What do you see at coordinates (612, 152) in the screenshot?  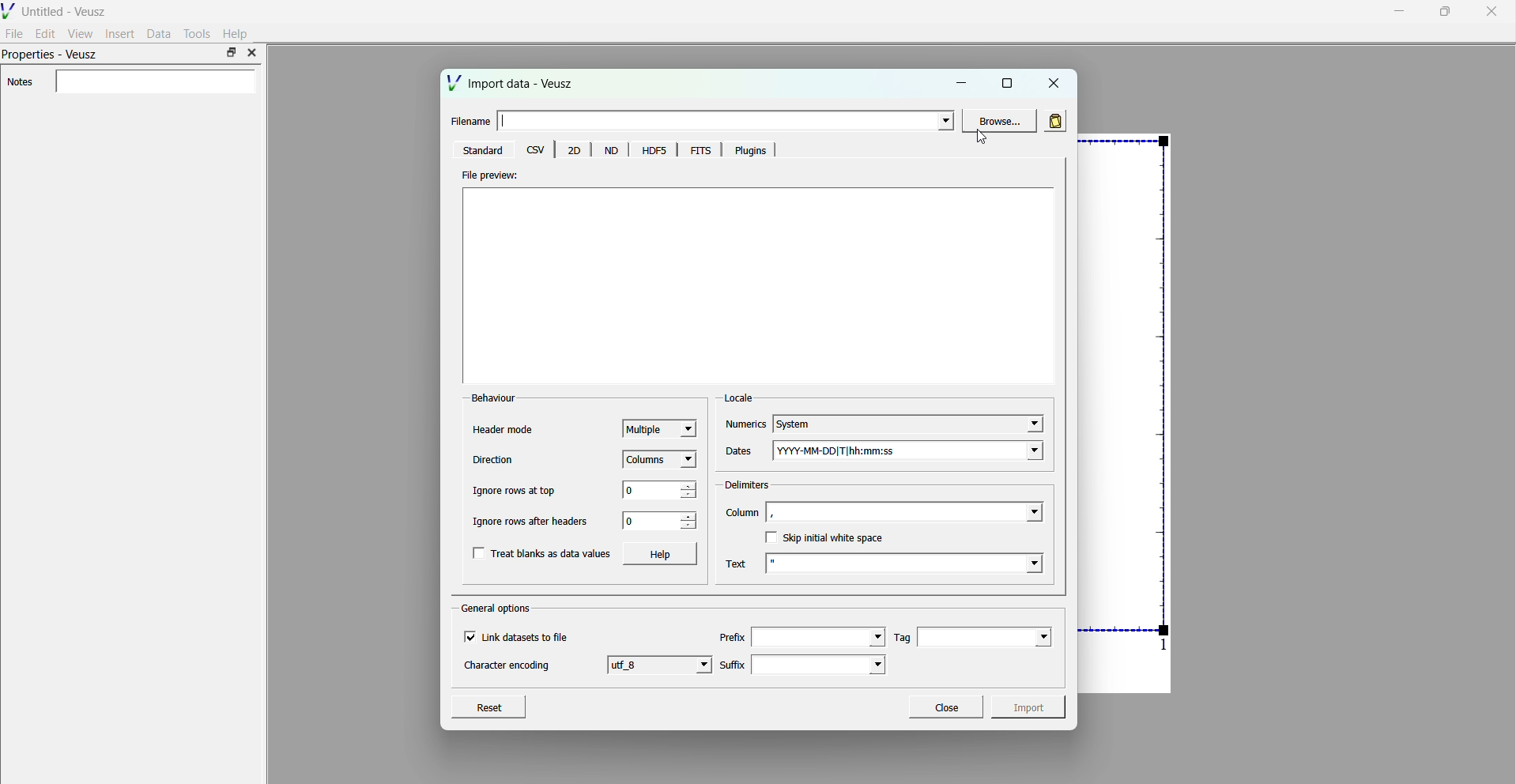 I see `` at bounding box center [612, 152].